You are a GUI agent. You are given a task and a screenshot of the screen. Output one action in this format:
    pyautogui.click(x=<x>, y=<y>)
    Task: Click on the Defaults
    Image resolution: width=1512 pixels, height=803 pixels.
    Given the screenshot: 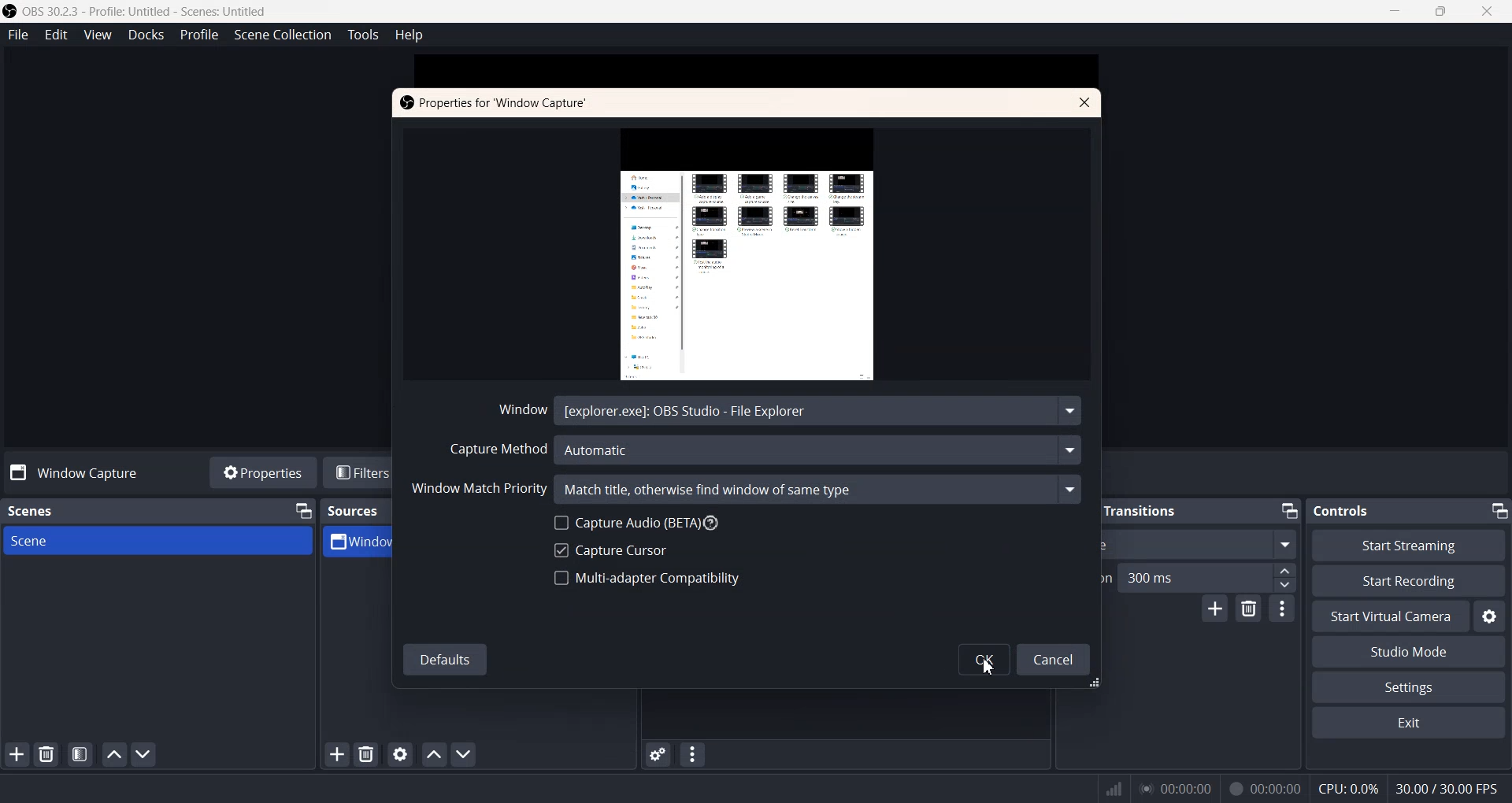 What is the action you would take?
    pyautogui.click(x=445, y=659)
    